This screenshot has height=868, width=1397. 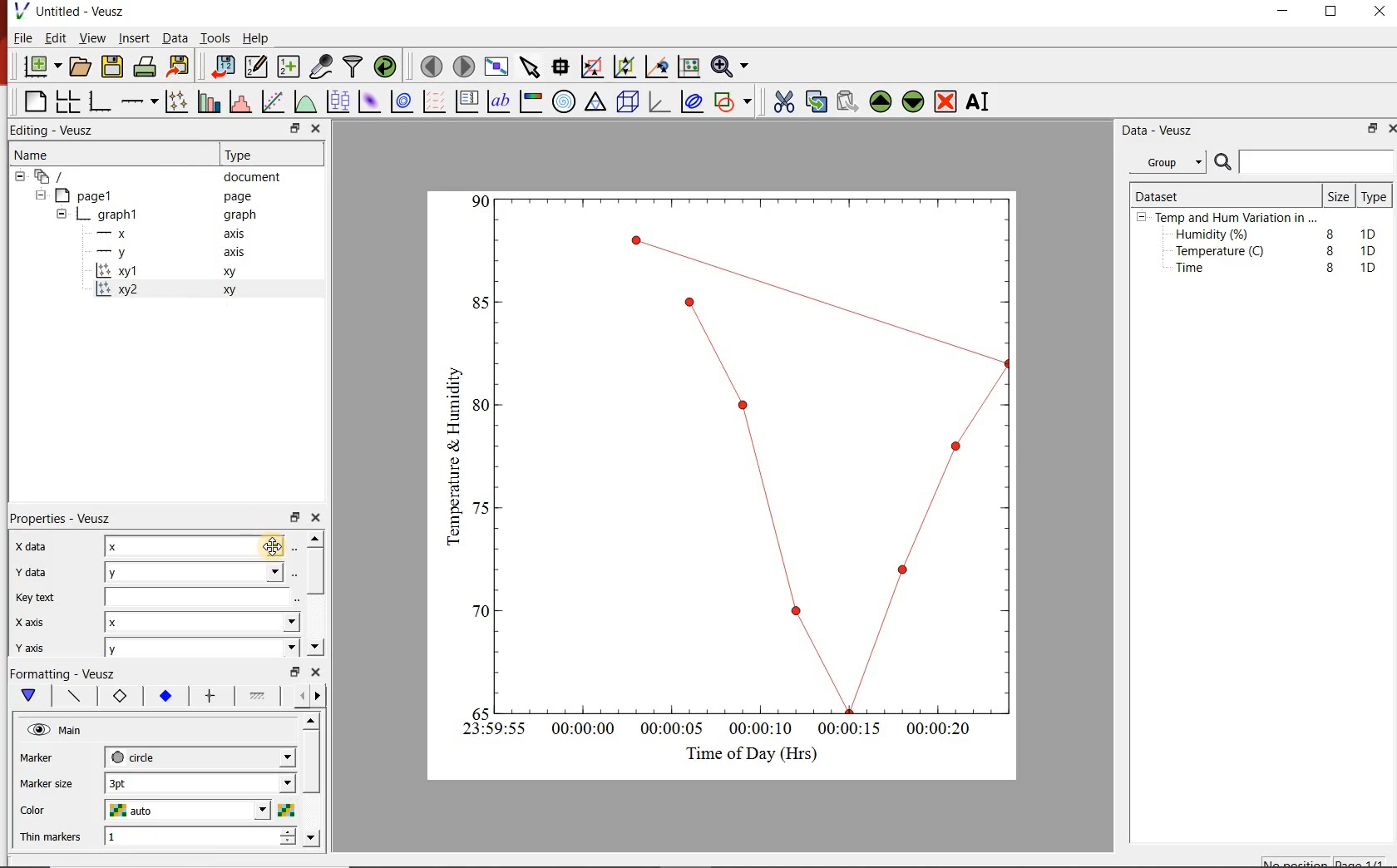 What do you see at coordinates (210, 99) in the screenshot?
I see `plot bar charts` at bounding box center [210, 99].